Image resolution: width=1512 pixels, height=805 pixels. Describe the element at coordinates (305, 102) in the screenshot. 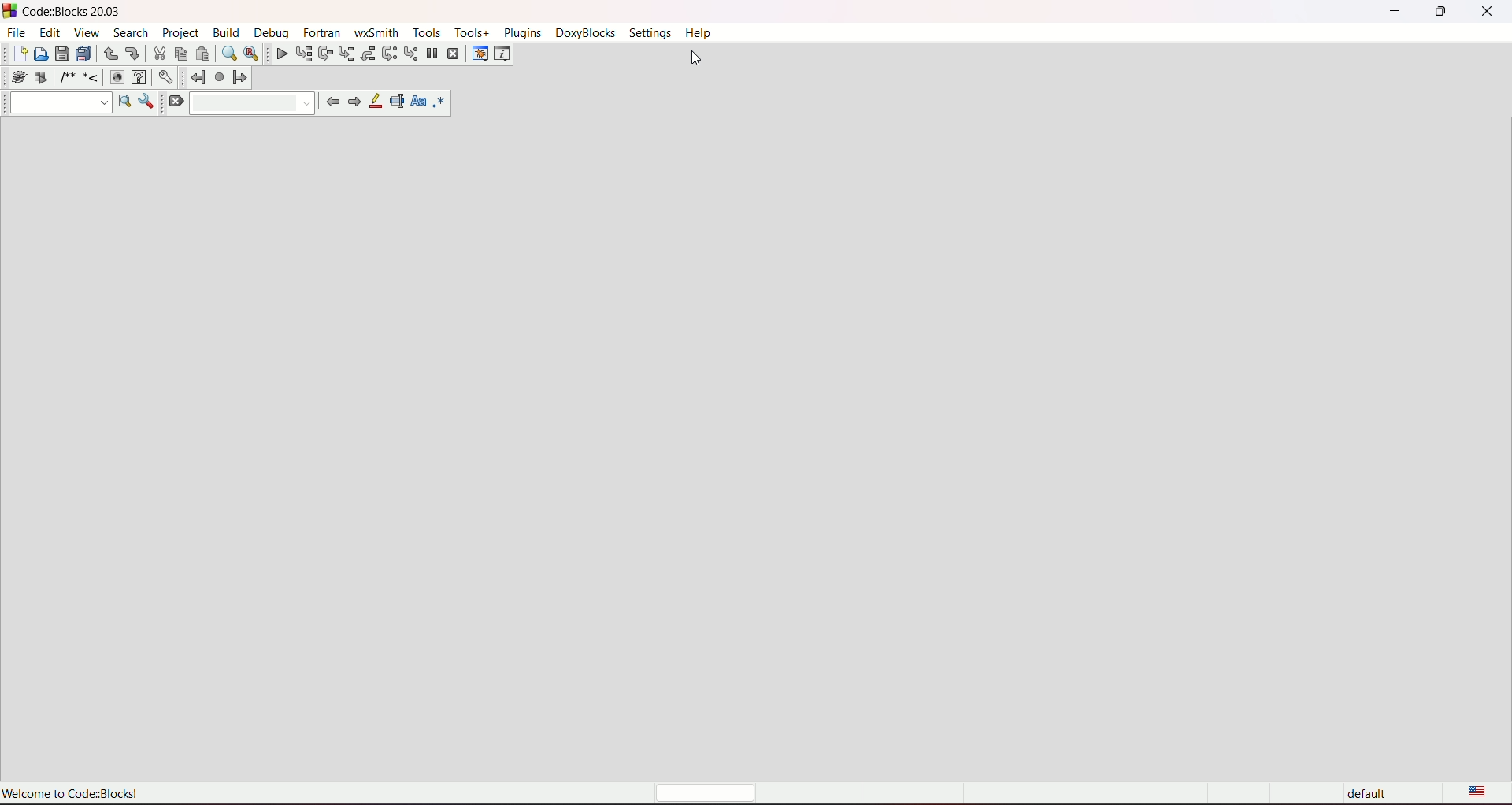

I see `Drop down` at that location.